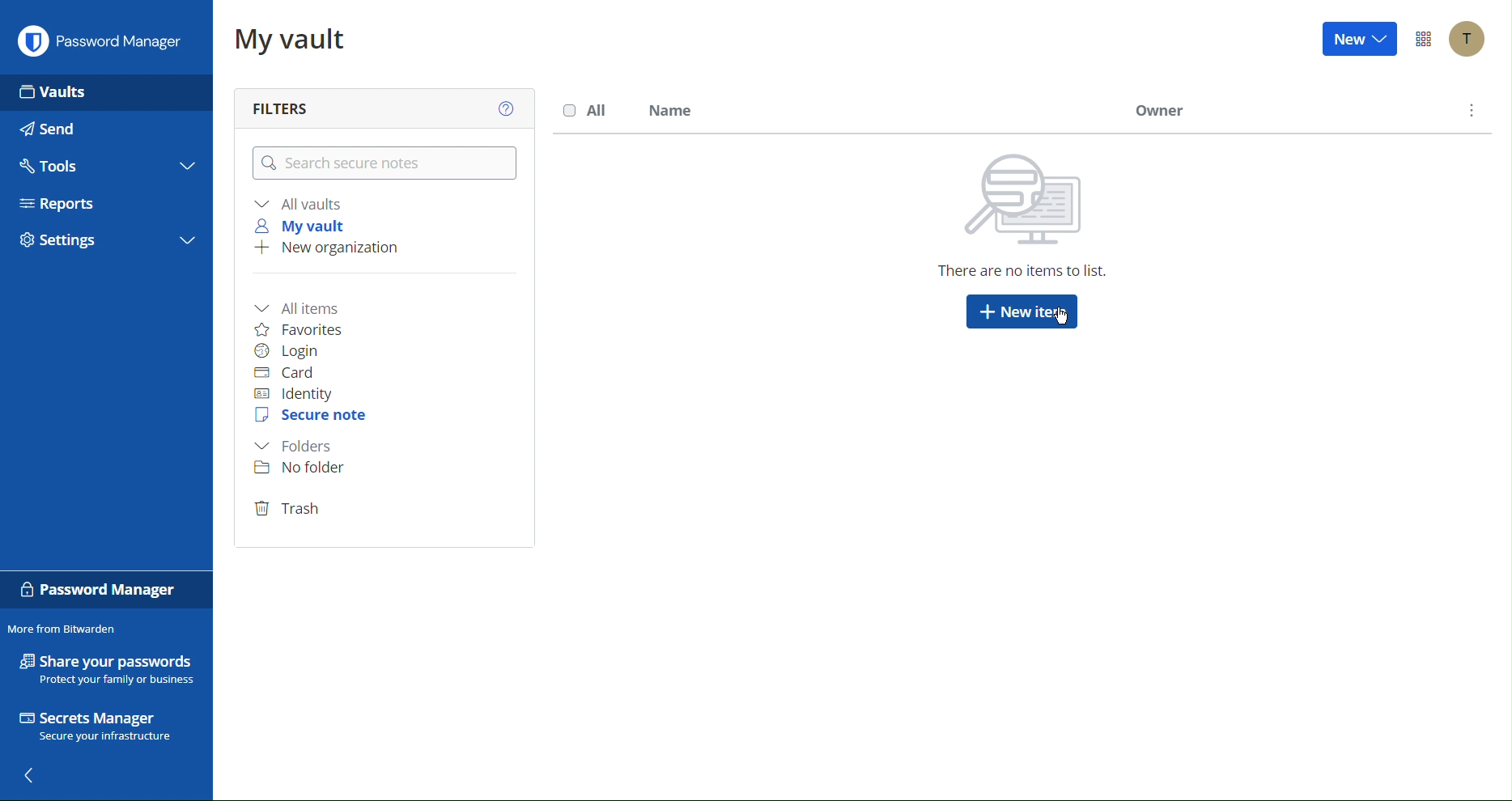 The image size is (1512, 801). Describe the element at coordinates (55, 91) in the screenshot. I see `Vaults` at that location.